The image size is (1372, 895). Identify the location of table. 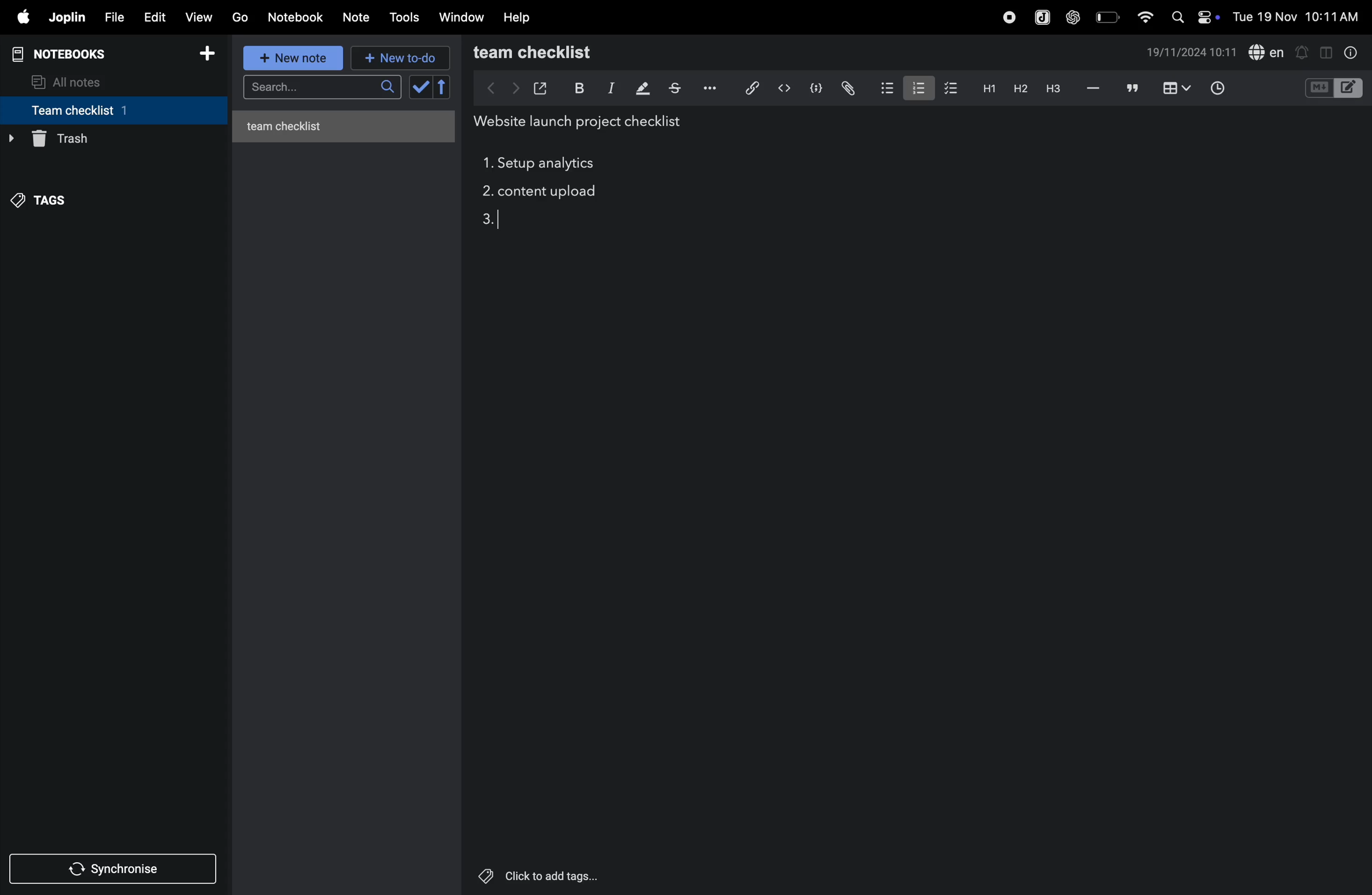
(1175, 88).